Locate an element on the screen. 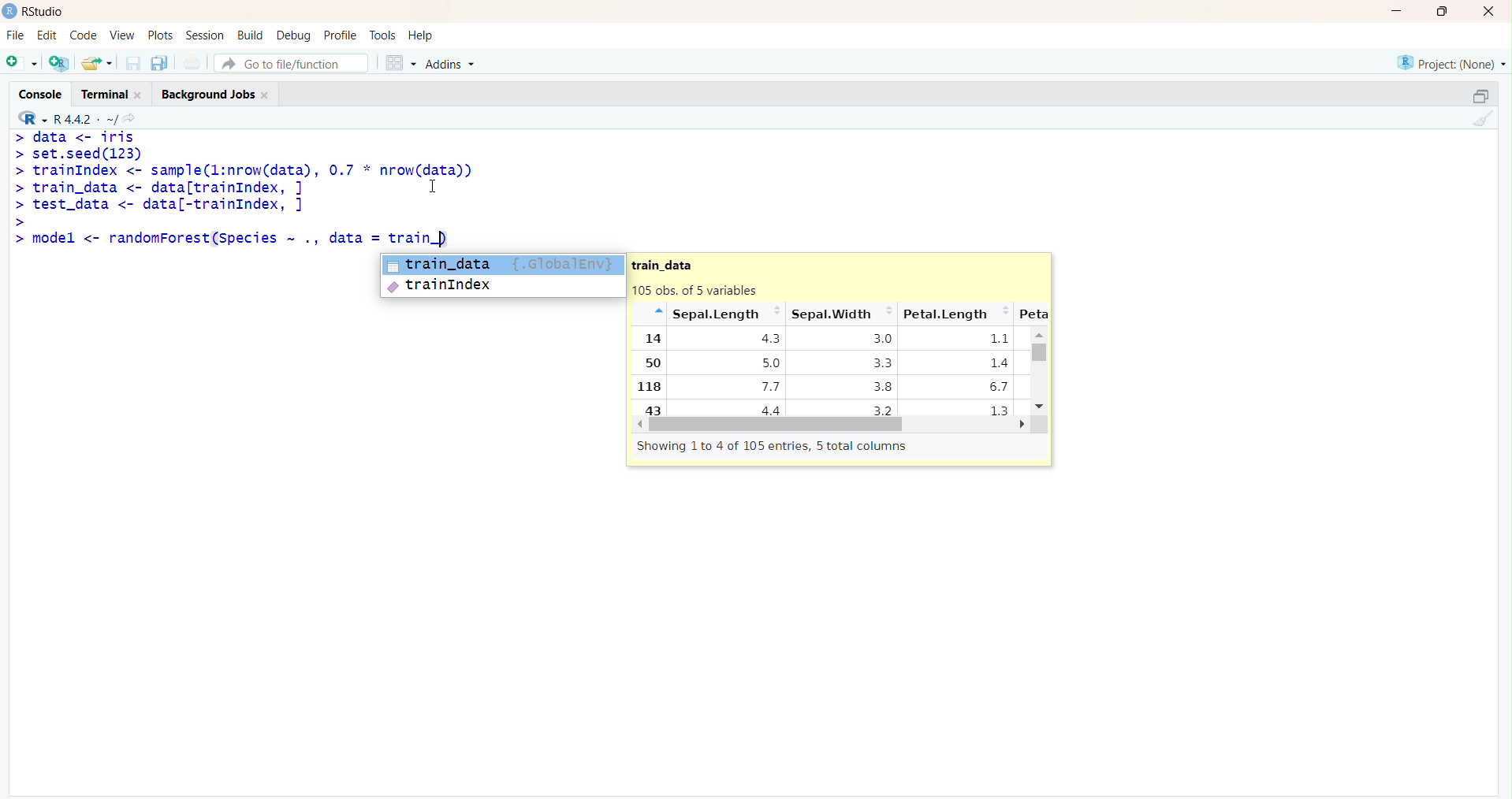 Image resolution: width=1512 pixels, height=799 pixels. Prompt cursor is located at coordinates (17, 171).